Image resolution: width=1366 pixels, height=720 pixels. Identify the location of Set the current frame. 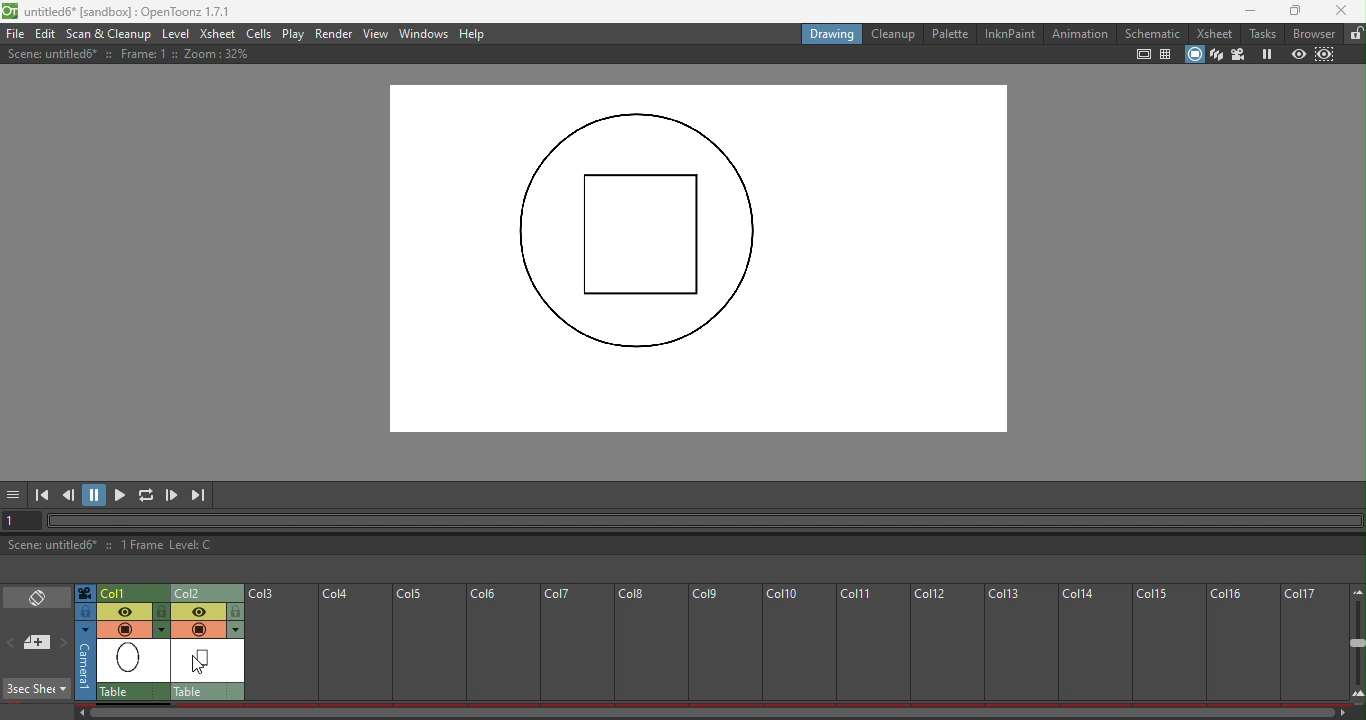
(23, 520).